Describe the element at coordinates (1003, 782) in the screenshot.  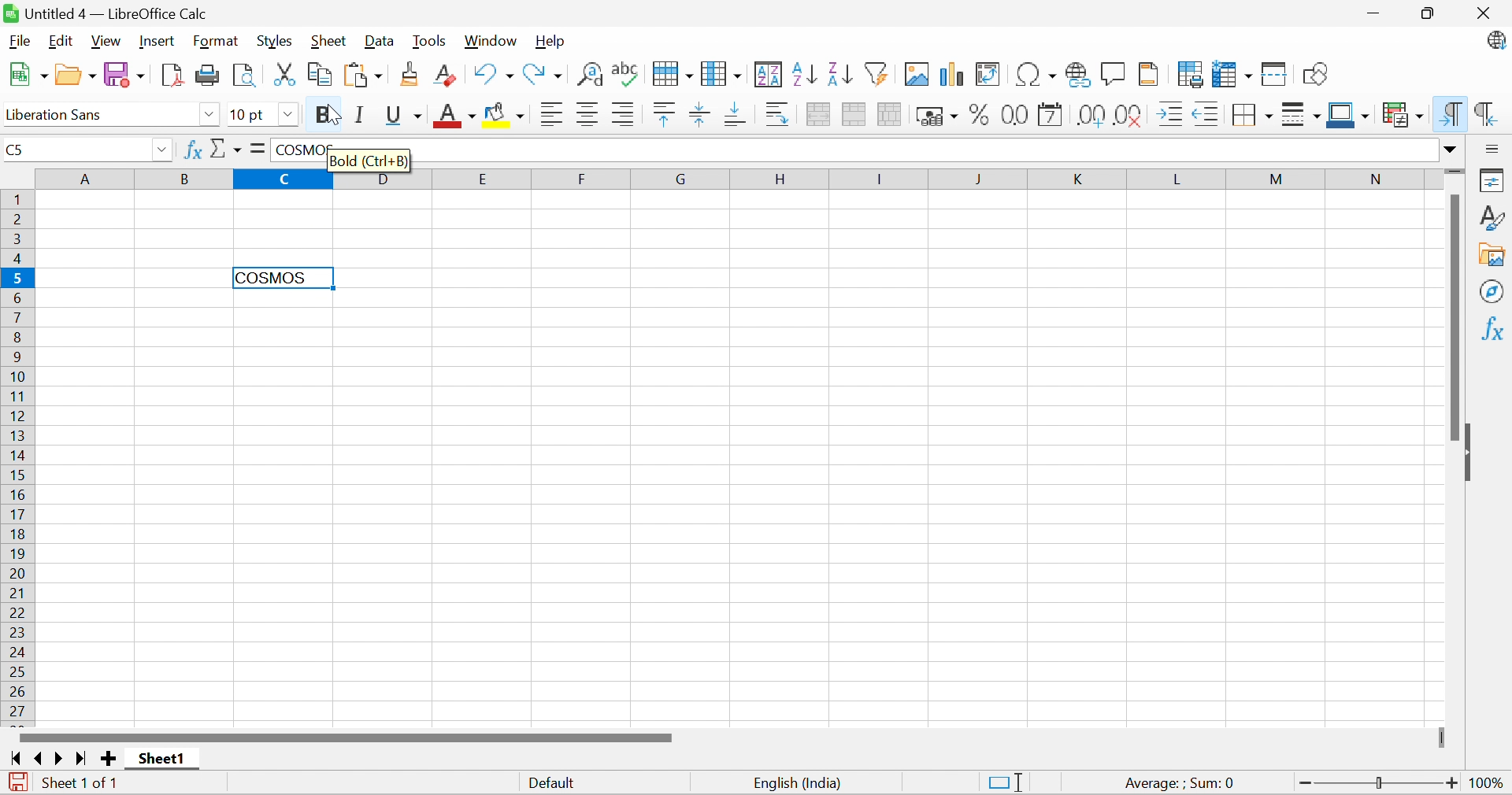
I see `Standard Selection. Click to change the selection mode.` at that location.